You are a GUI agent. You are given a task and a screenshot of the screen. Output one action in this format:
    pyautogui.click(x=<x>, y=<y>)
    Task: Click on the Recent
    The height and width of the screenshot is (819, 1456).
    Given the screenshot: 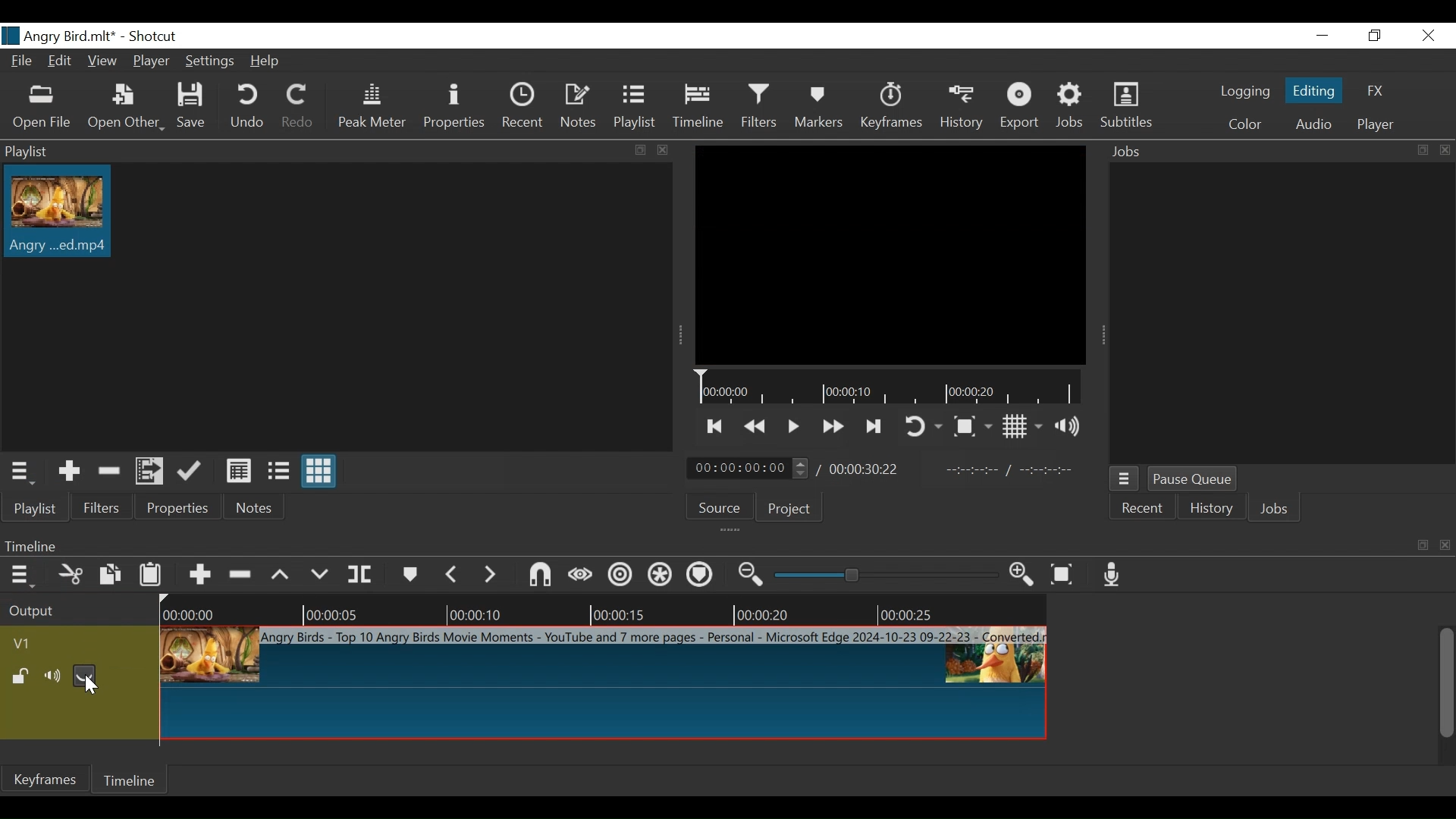 What is the action you would take?
    pyautogui.click(x=1144, y=507)
    